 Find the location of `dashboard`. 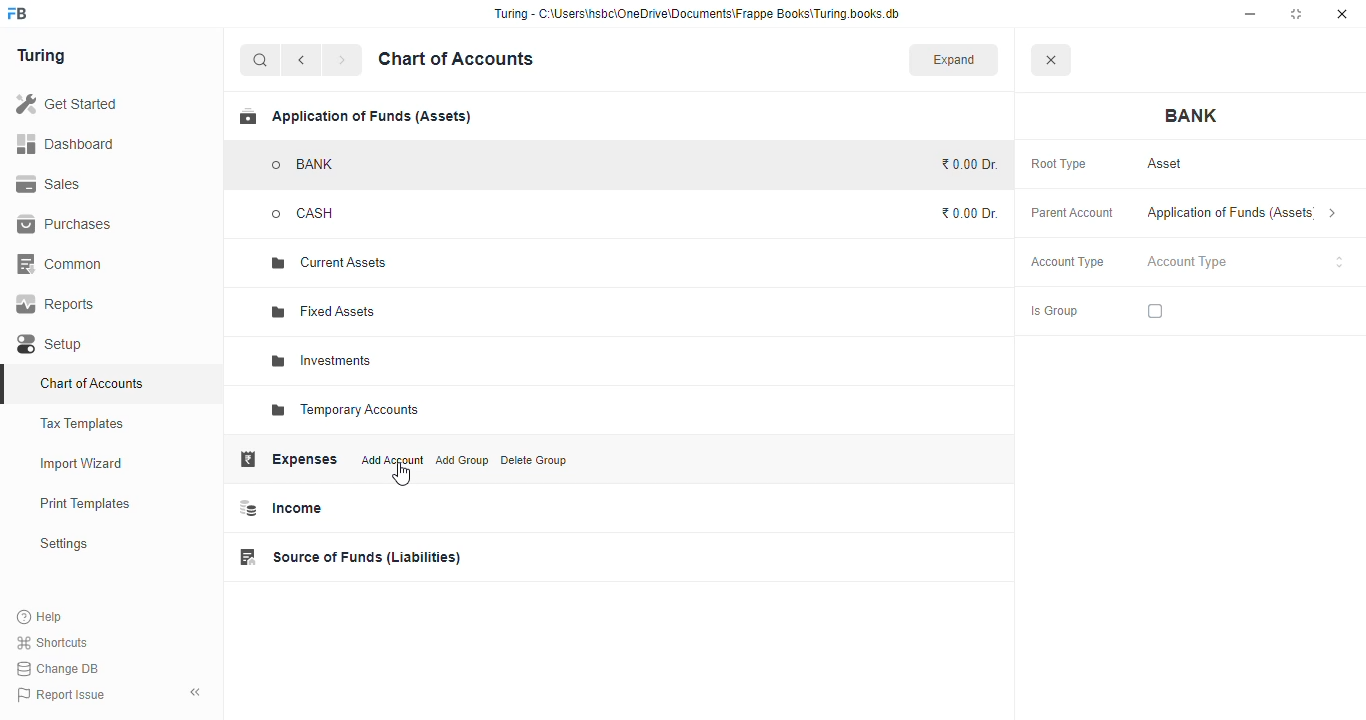

dashboard is located at coordinates (65, 143).